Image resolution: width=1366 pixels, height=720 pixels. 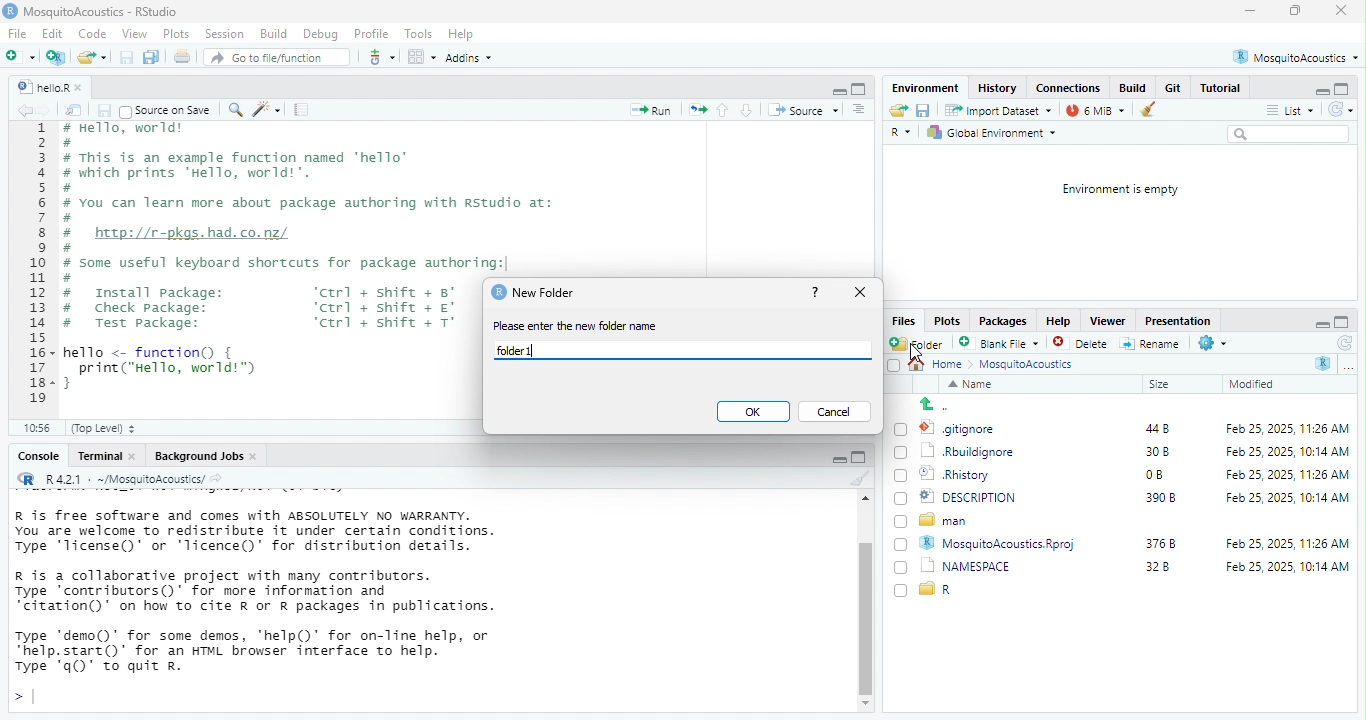 What do you see at coordinates (902, 320) in the screenshot?
I see `Files` at bounding box center [902, 320].